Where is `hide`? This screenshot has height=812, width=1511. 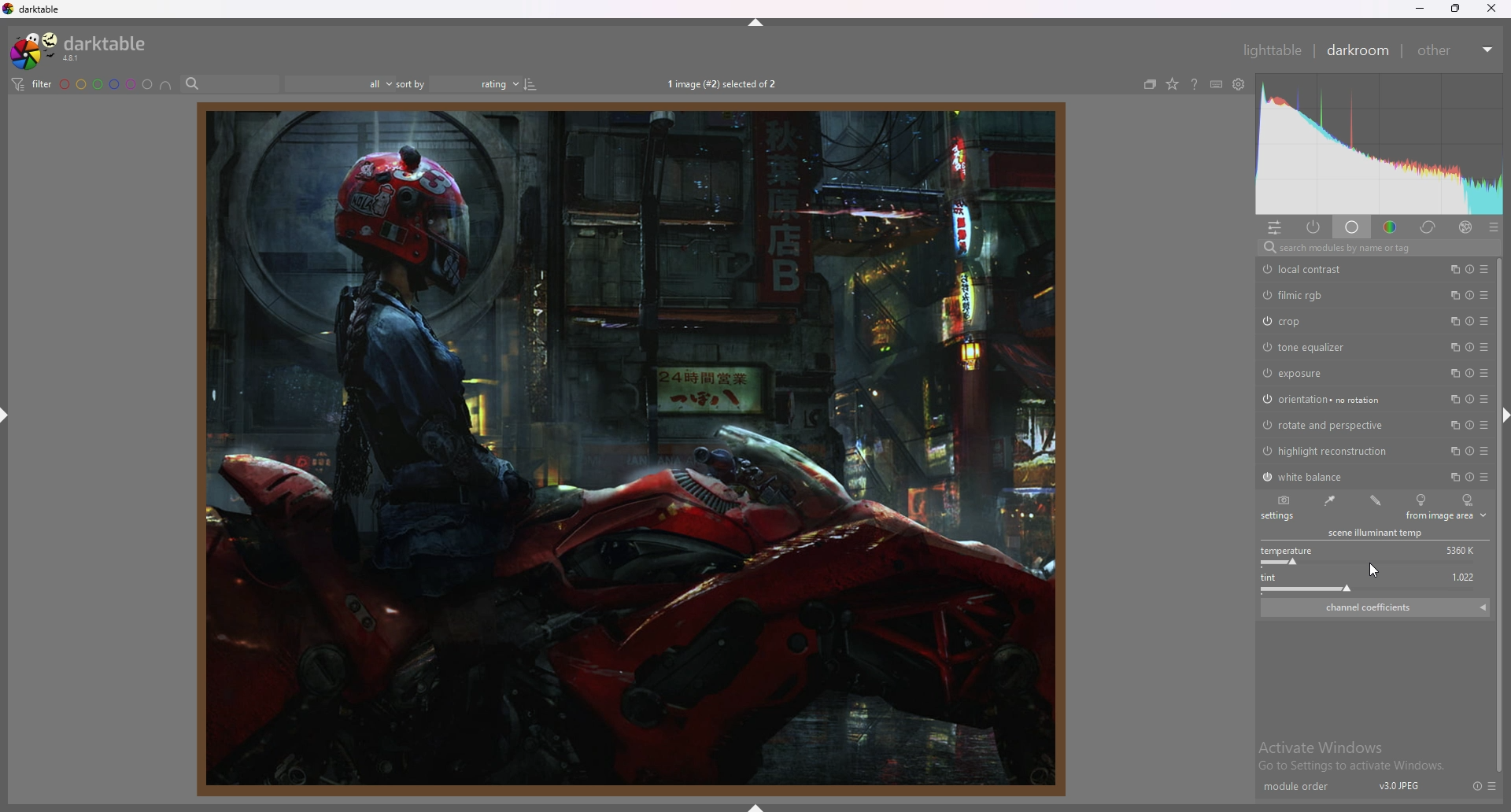 hide is located at coordinates (756, 22).